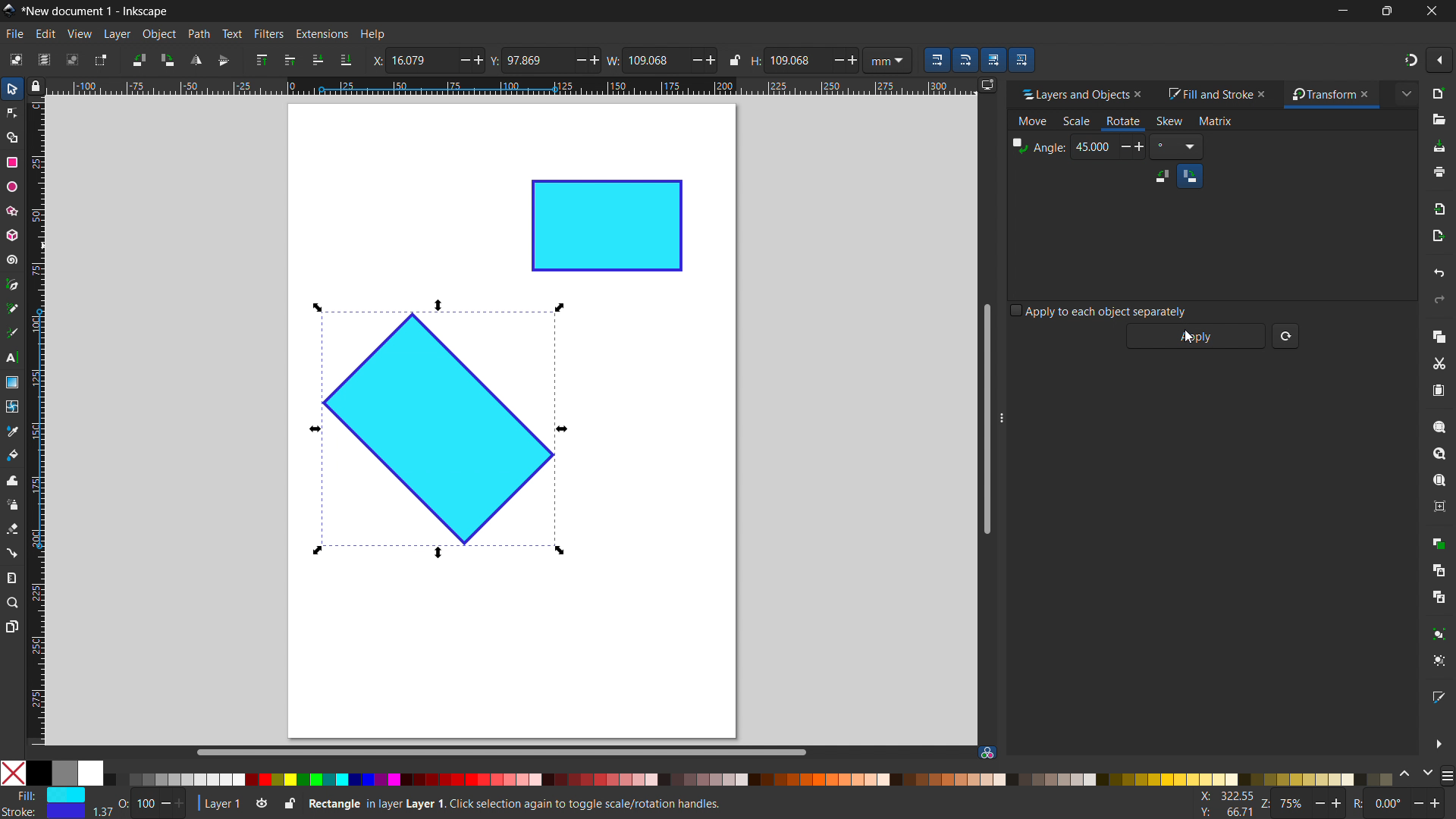 Image resolution: width=1456 pixels, height=819 pixels. I want to click on snapping, so click(1411, 60).